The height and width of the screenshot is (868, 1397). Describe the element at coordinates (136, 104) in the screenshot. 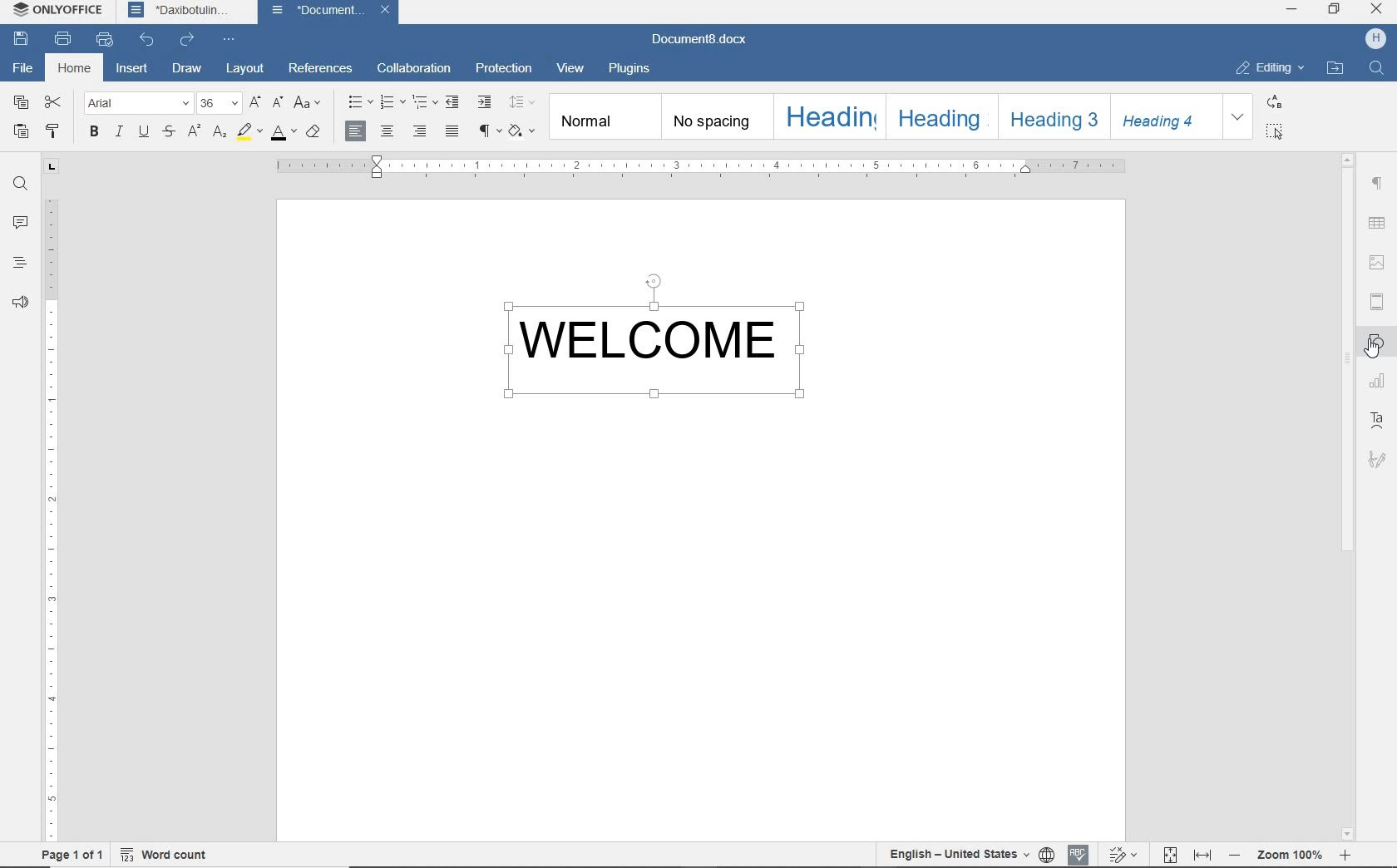

I see `FONT` at that location.